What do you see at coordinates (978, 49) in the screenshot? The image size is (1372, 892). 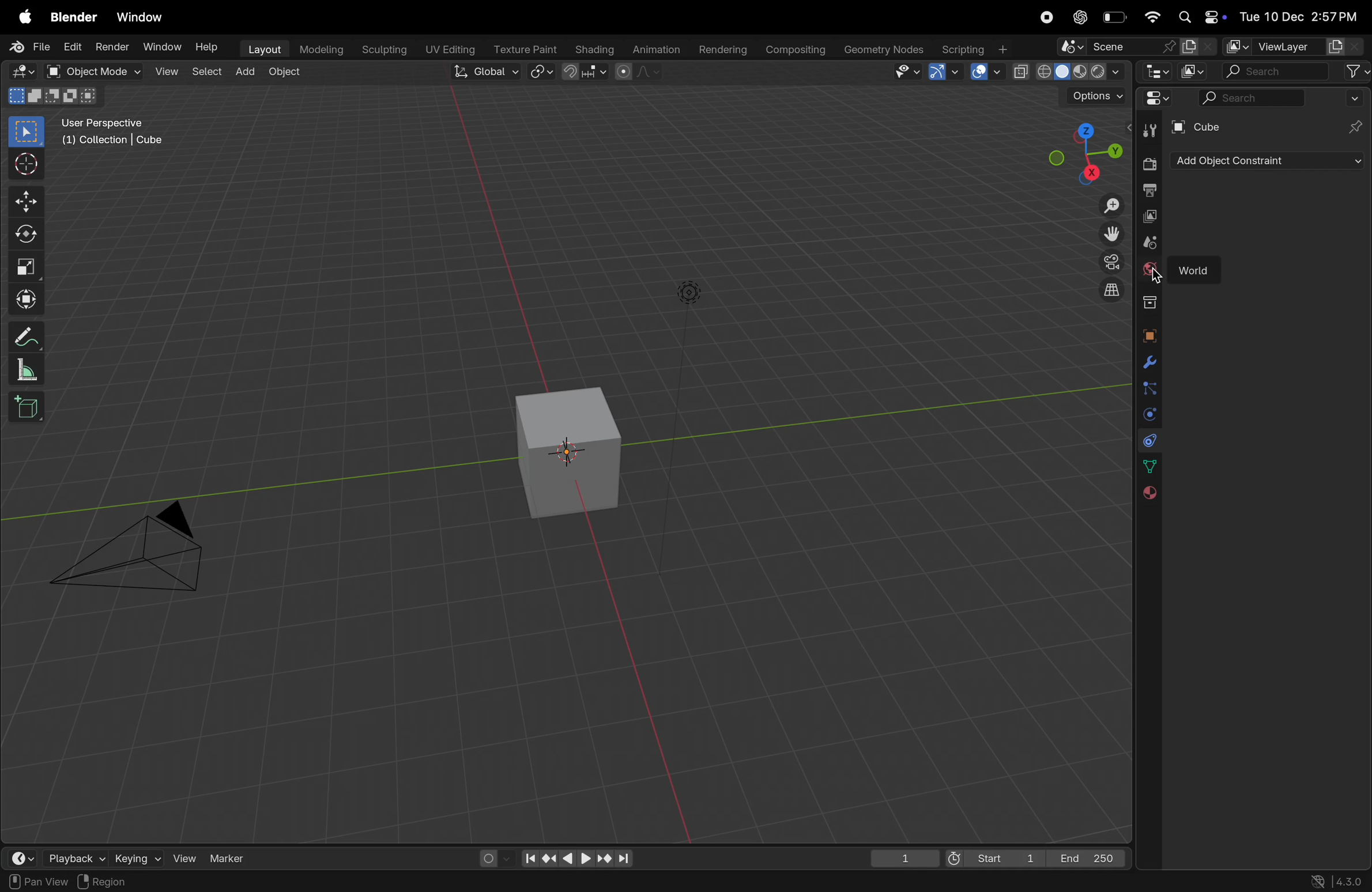 I see `Scripting` at bounding box center [978, 49].